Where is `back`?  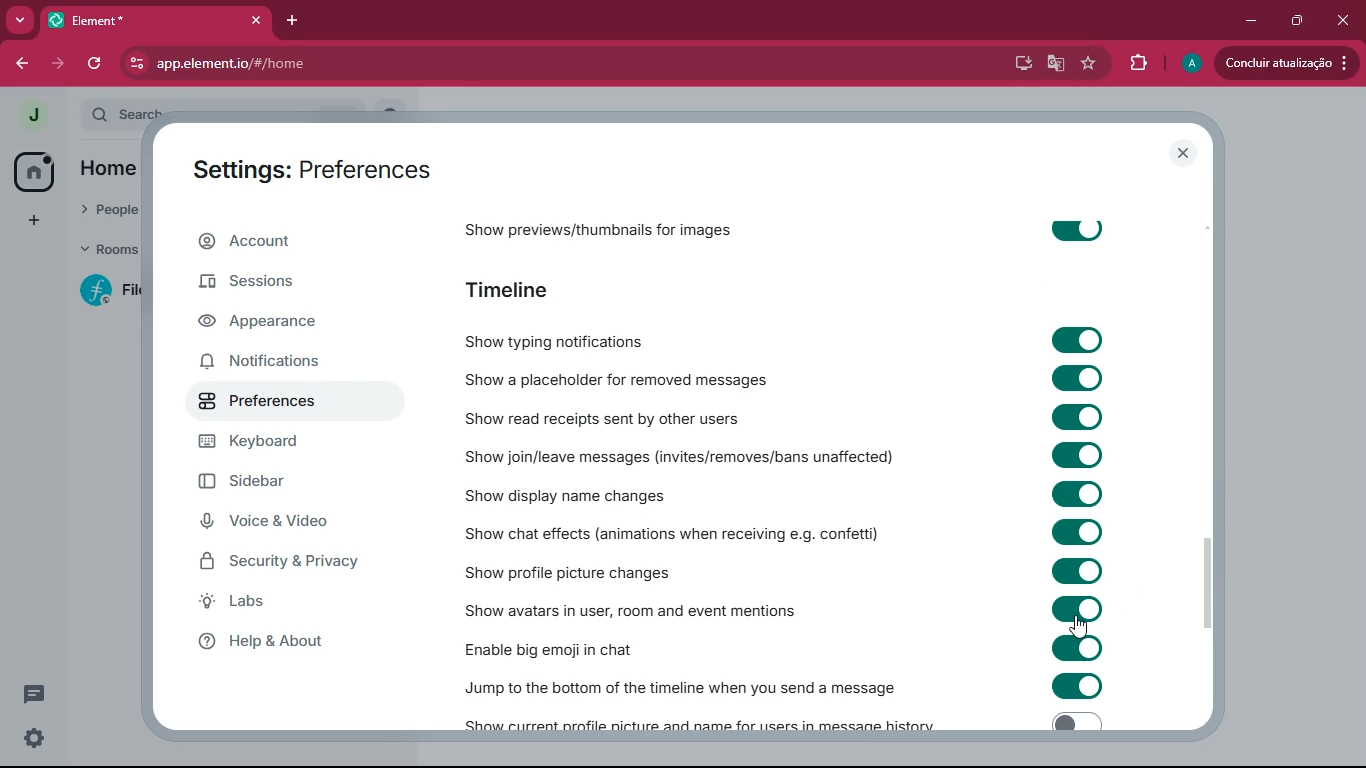
back is located at coordinates (19, 63).